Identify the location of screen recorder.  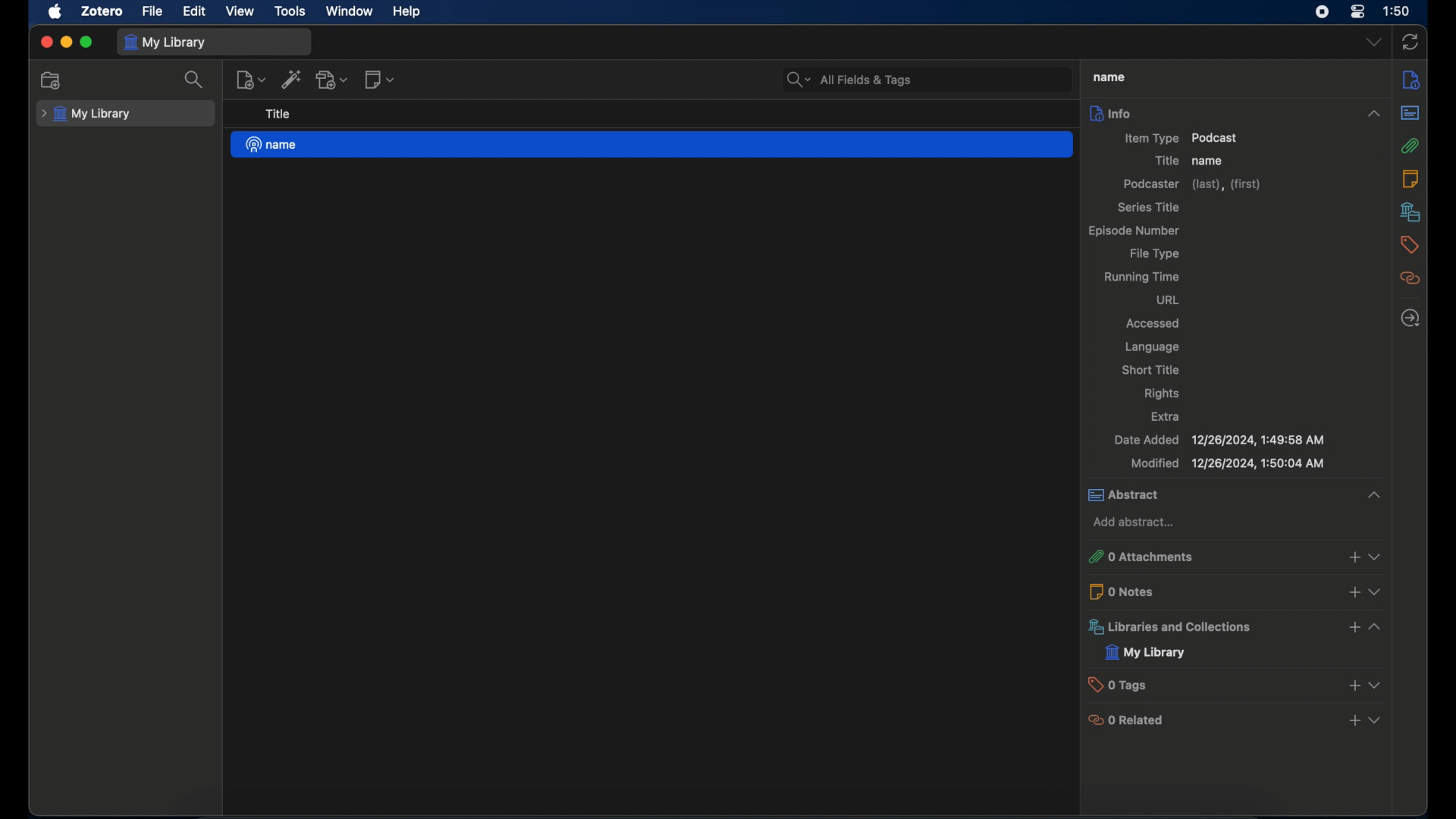
(1321, 12).